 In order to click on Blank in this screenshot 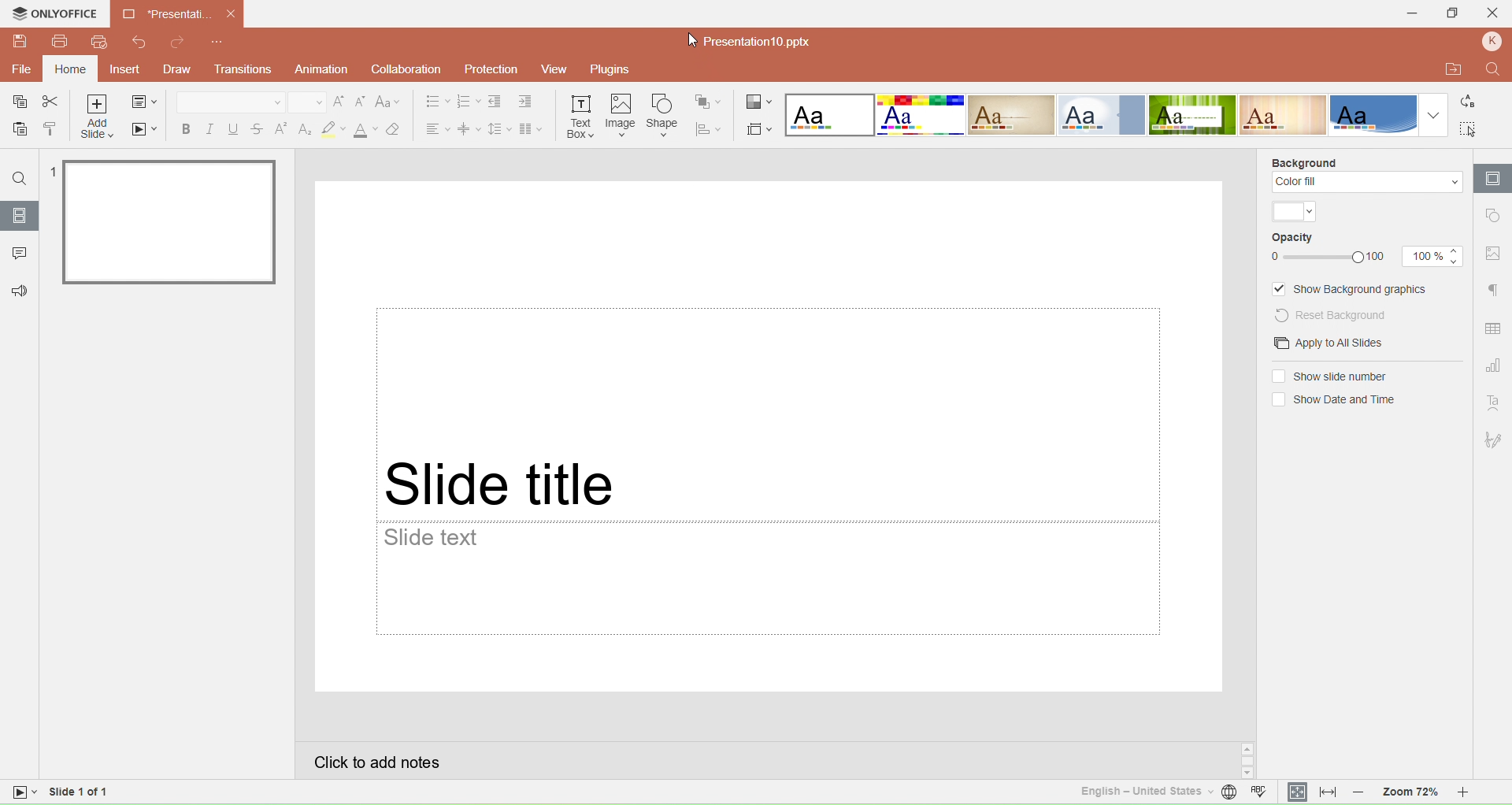, I will do `click(828, 115)`.